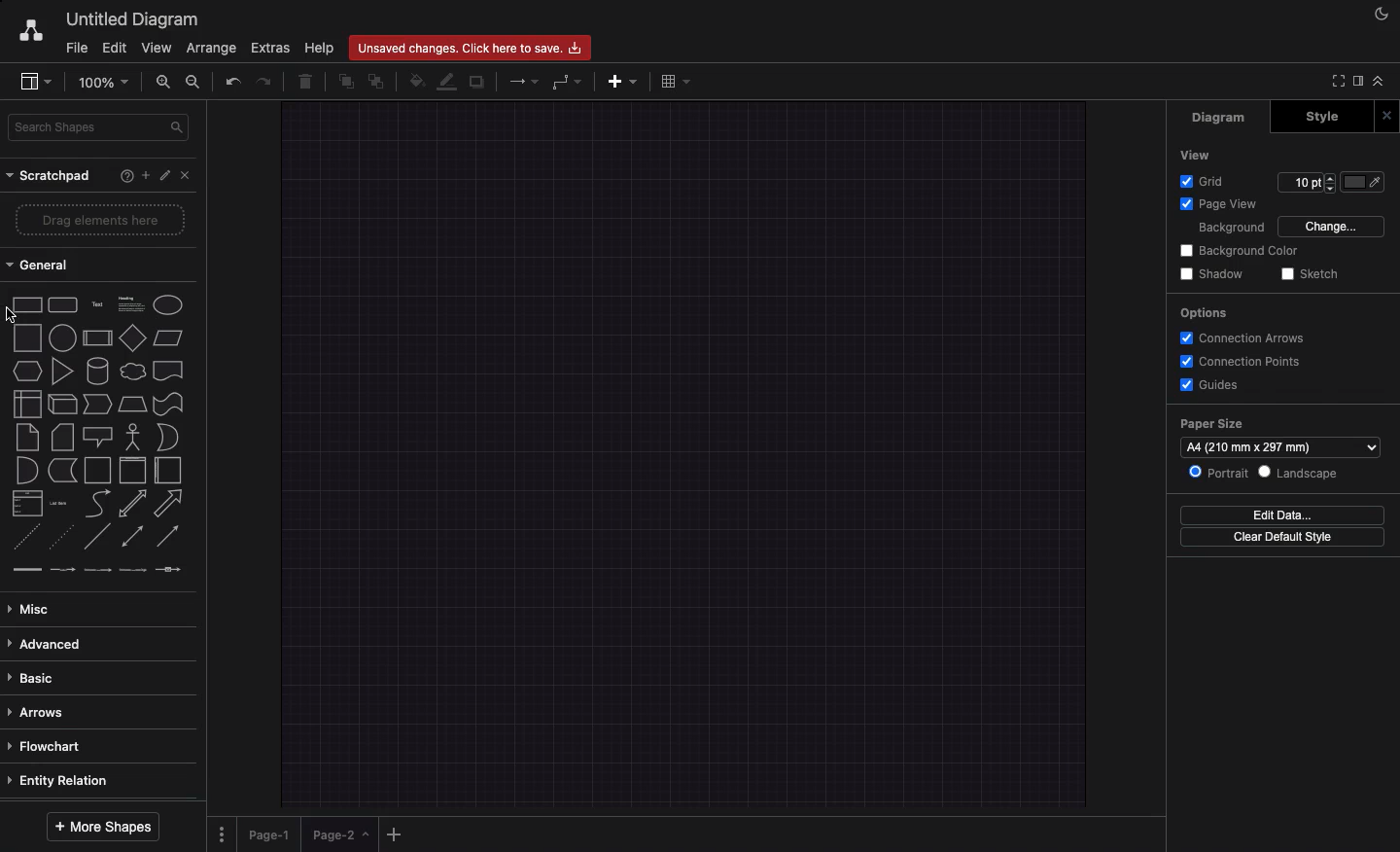 The width and height of the screenshot is (1400, 852). What do you see at coordinates (1214, 471) in the screenshot?
I see `Portrait ` at bounding box center [1214, 471].